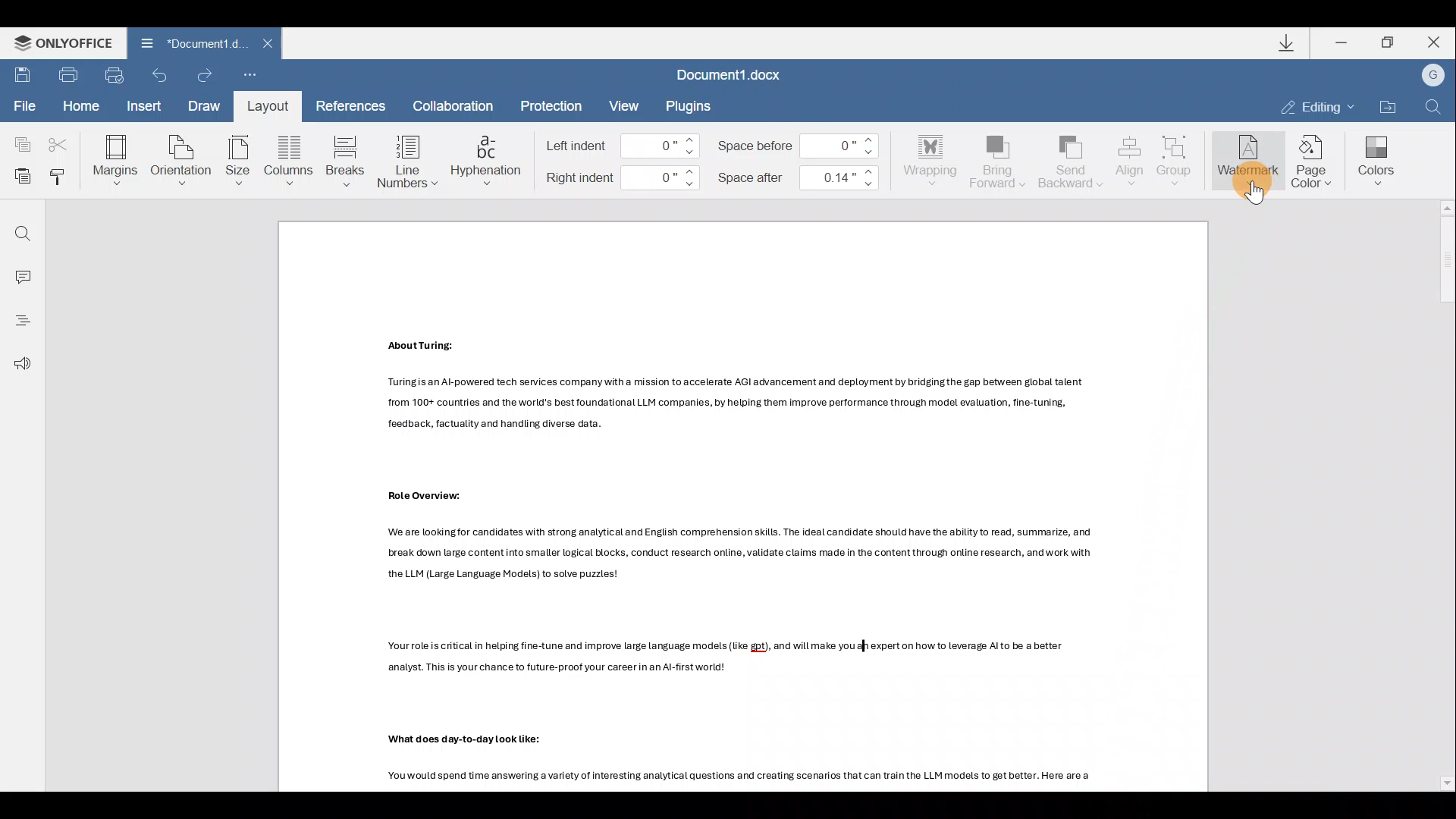 This screenshot has height=819, width=1456. I want to click on Feedback & support, so click(21, 365).